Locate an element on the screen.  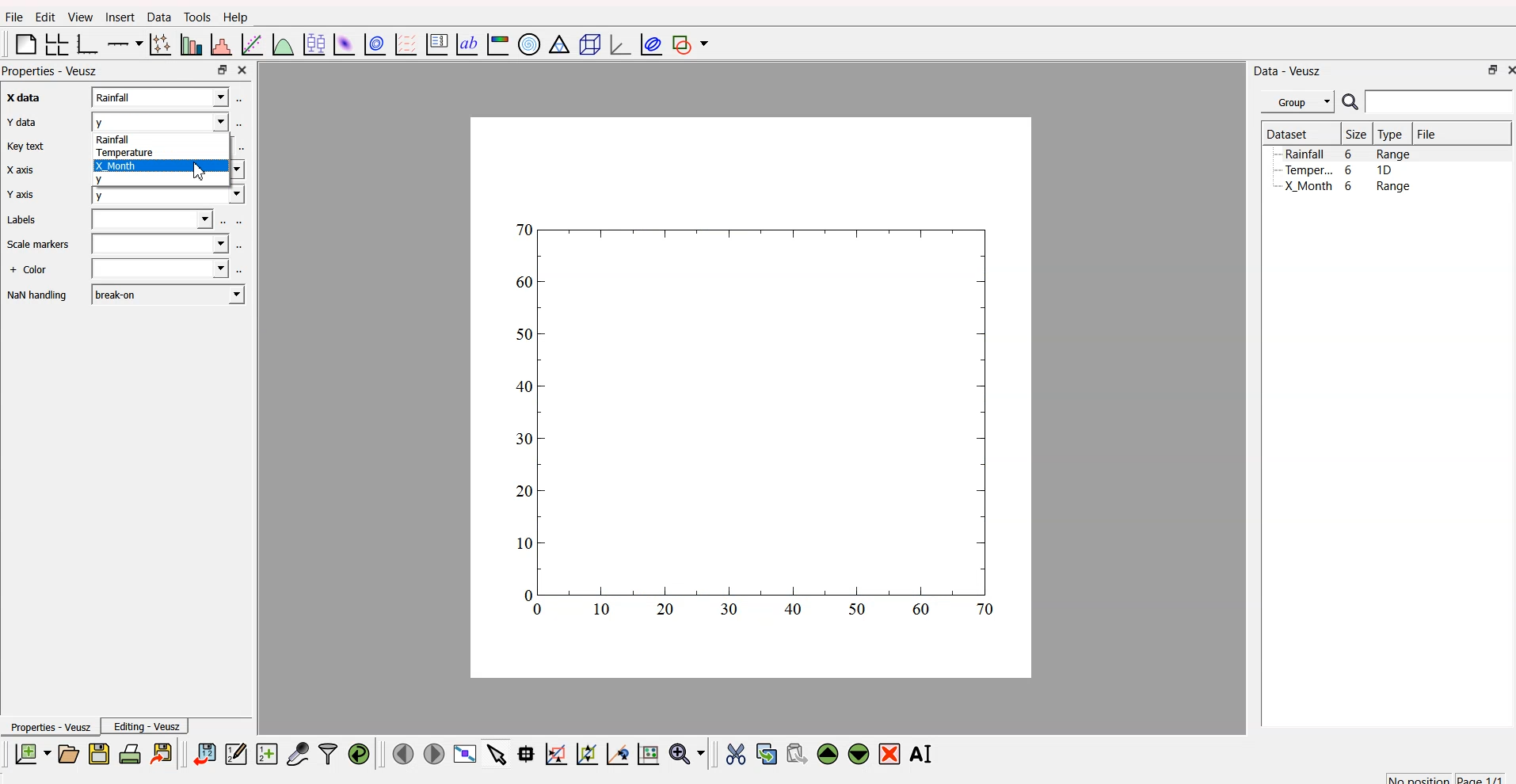
maximize is located at coordinates (1488, 72).